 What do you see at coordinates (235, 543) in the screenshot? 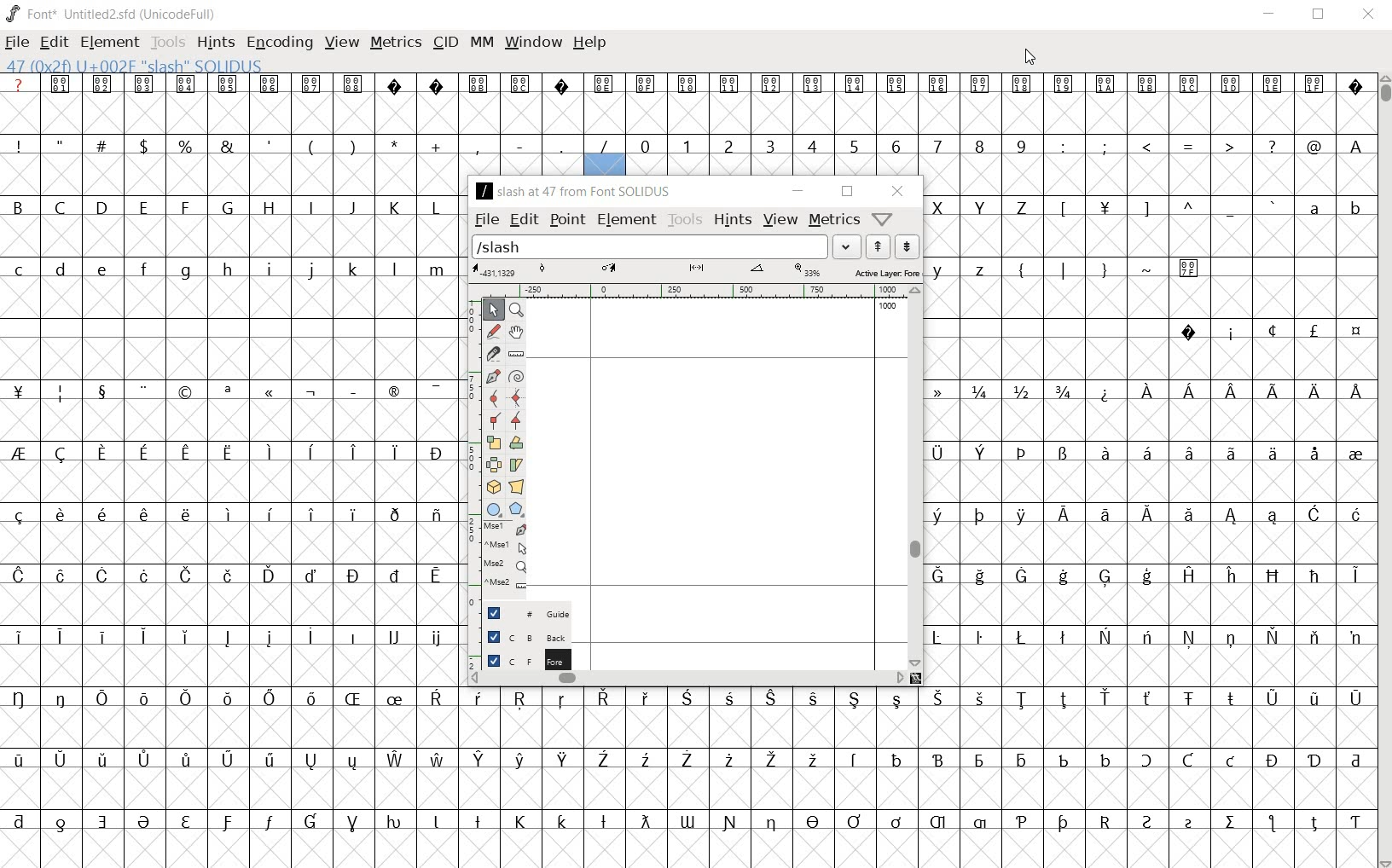
I see `empty cells` at bounding box center [235, 543].